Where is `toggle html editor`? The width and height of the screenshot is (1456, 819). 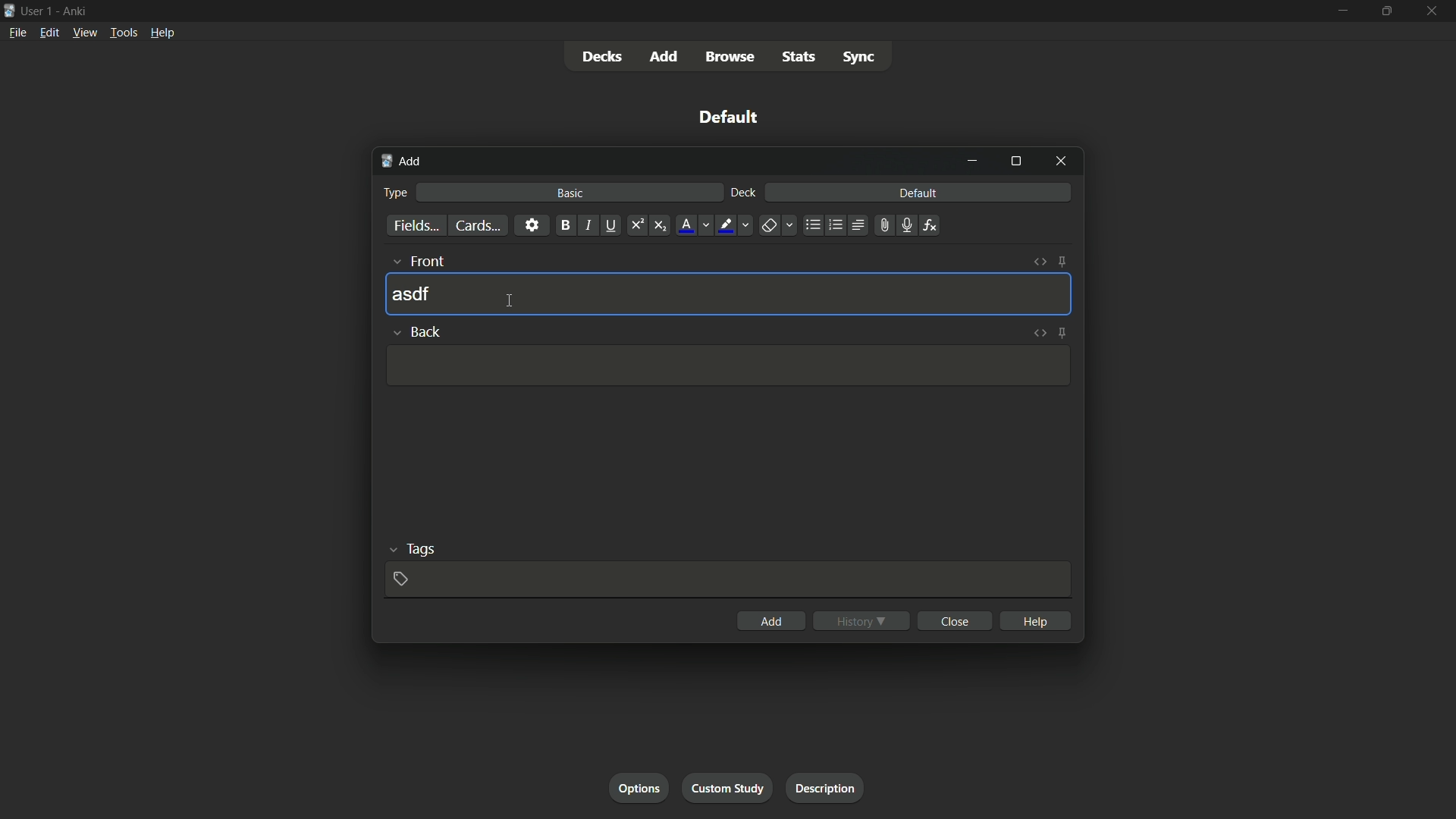
toggle html editor is located at coordinates (1040, 262).